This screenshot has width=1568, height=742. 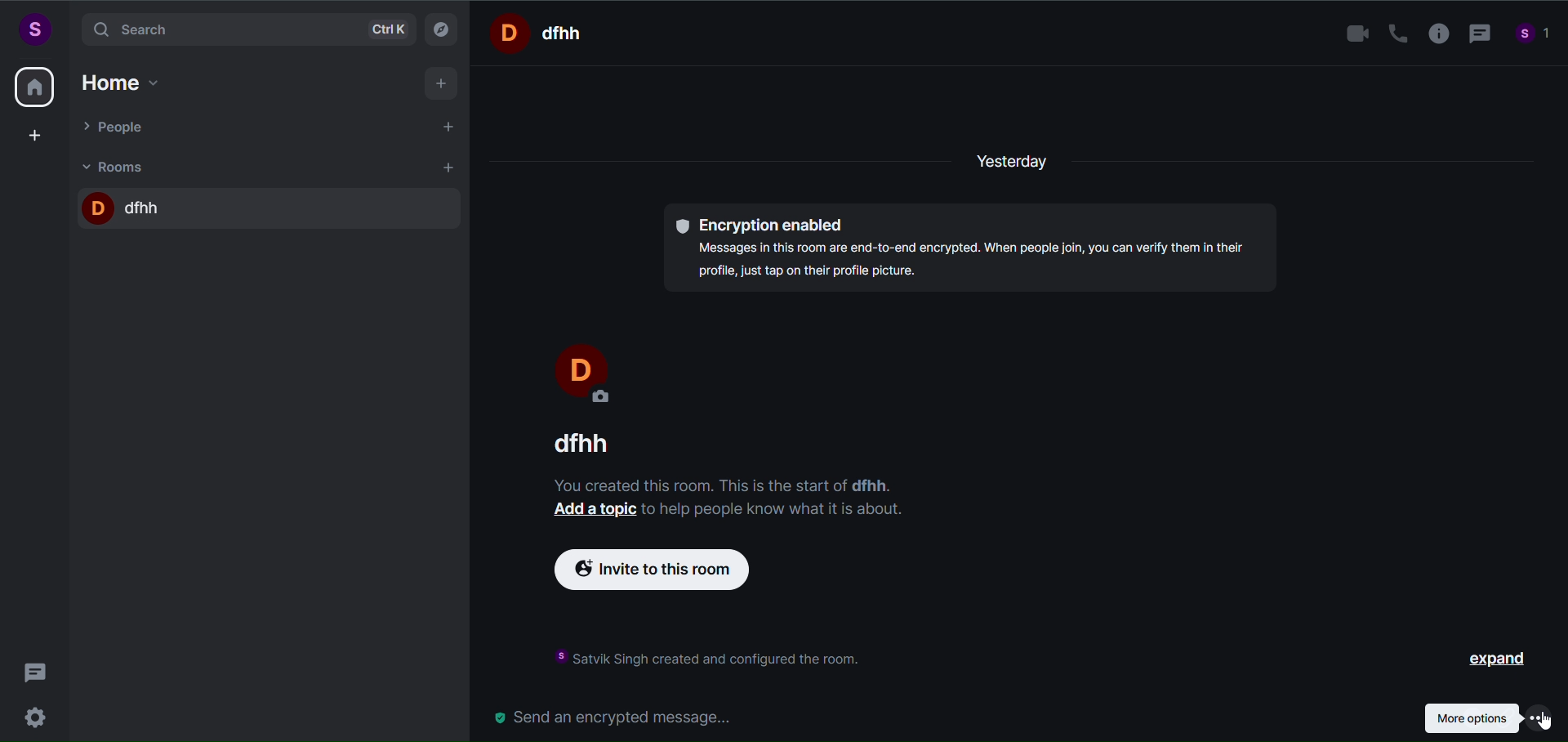 I want to click on display name, so click(x=591, y=369).